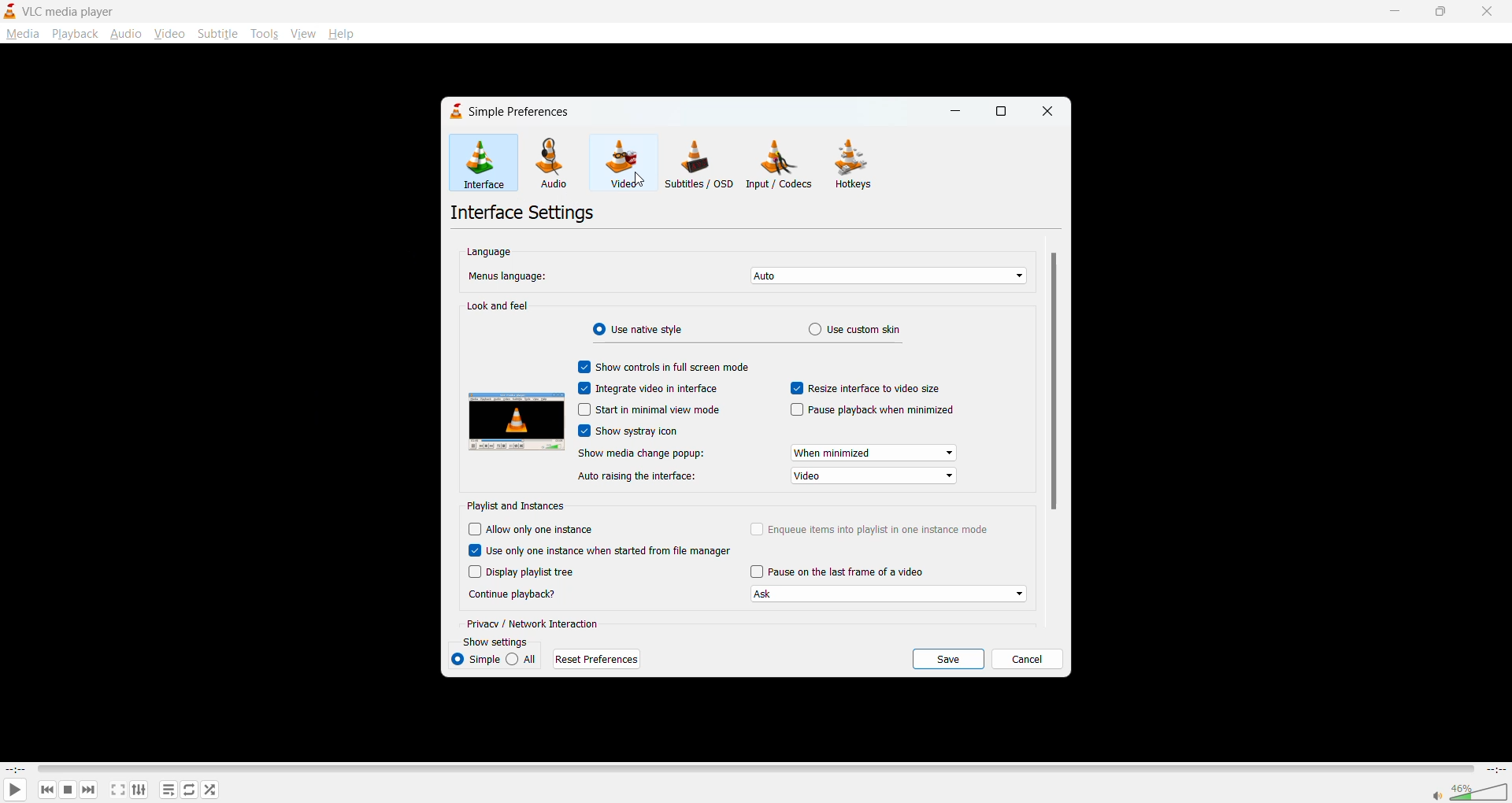 This screenshot has width=1512, height=803. I want to click on previous, so click(46, 790).